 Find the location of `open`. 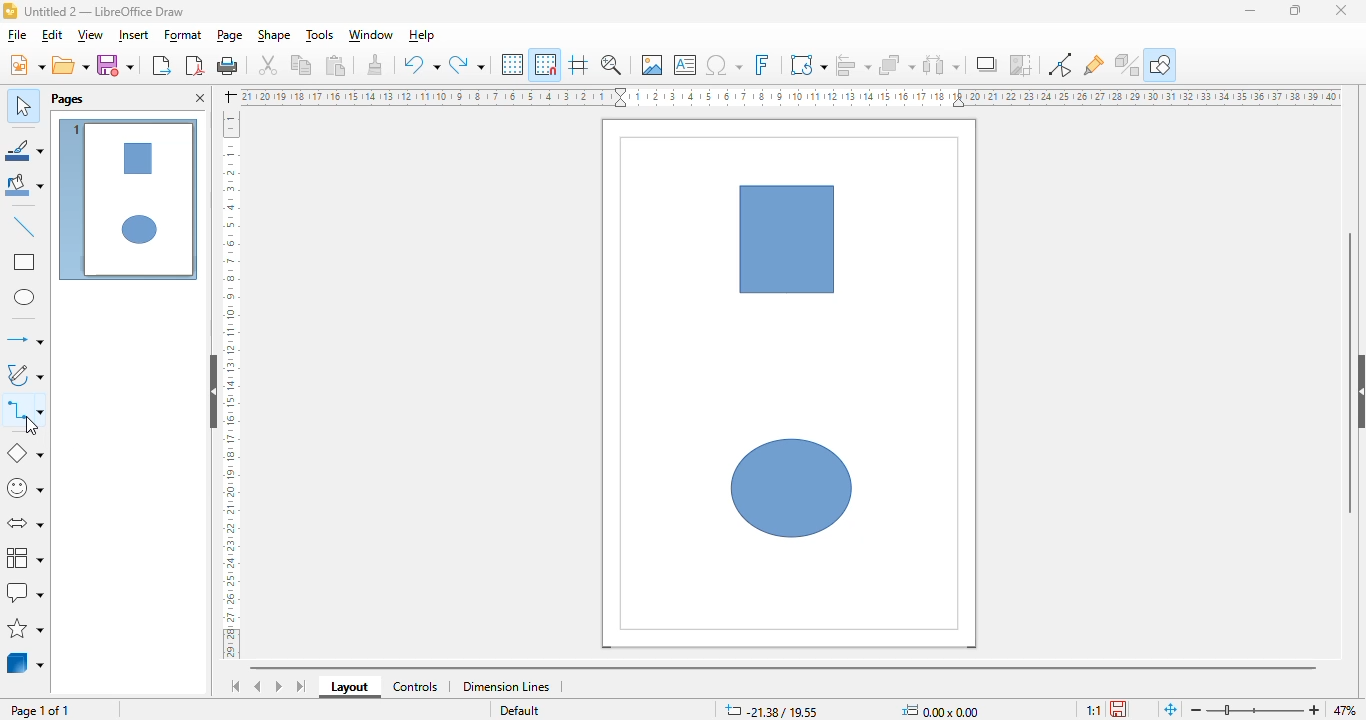

open is located at coordinates (71, 64).